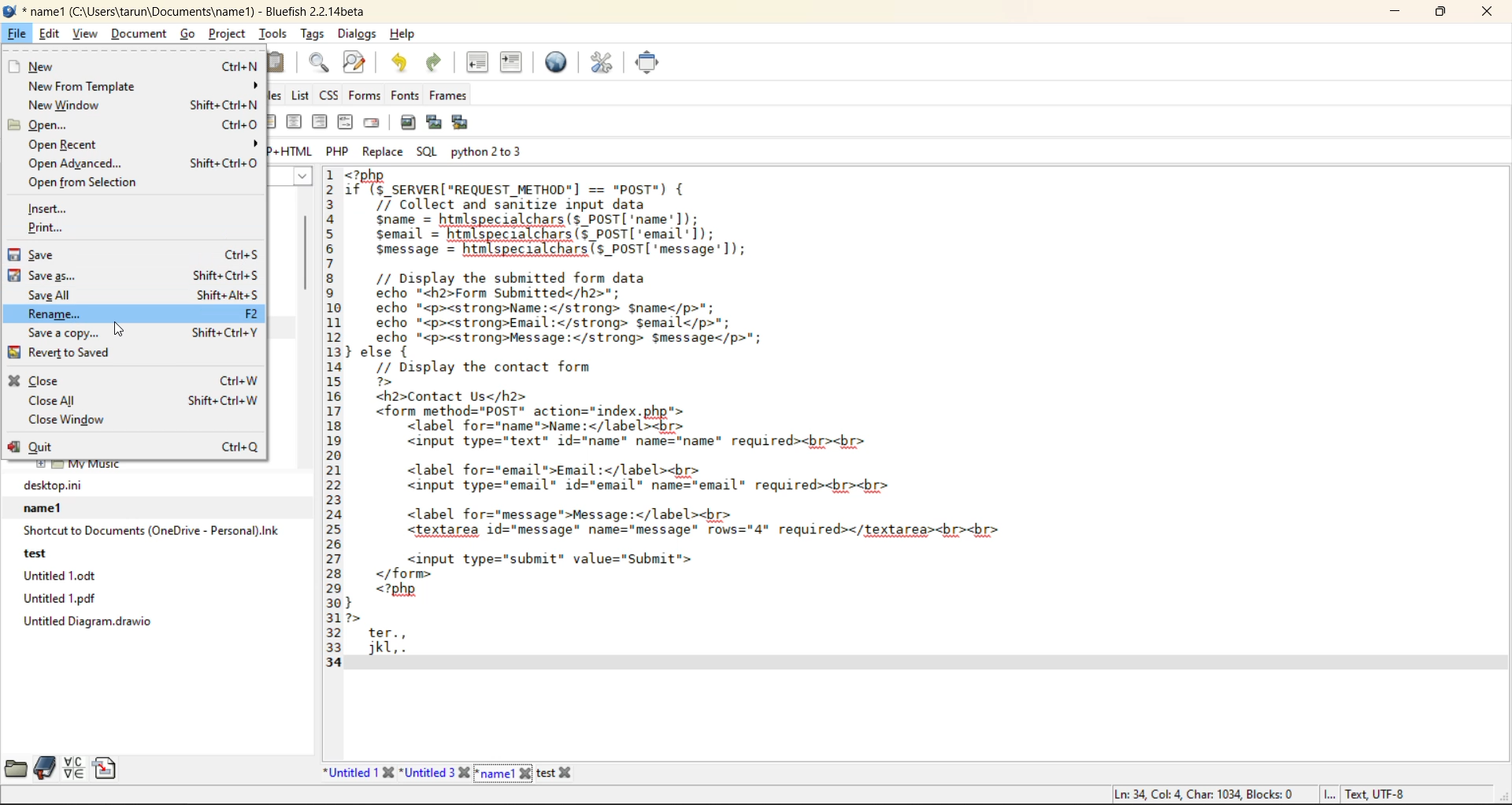 The width and height of the screenshot is (1512, 805). Describe the element at coordinates (357, 35) in the screenshot. I see `dialogs` at that location.